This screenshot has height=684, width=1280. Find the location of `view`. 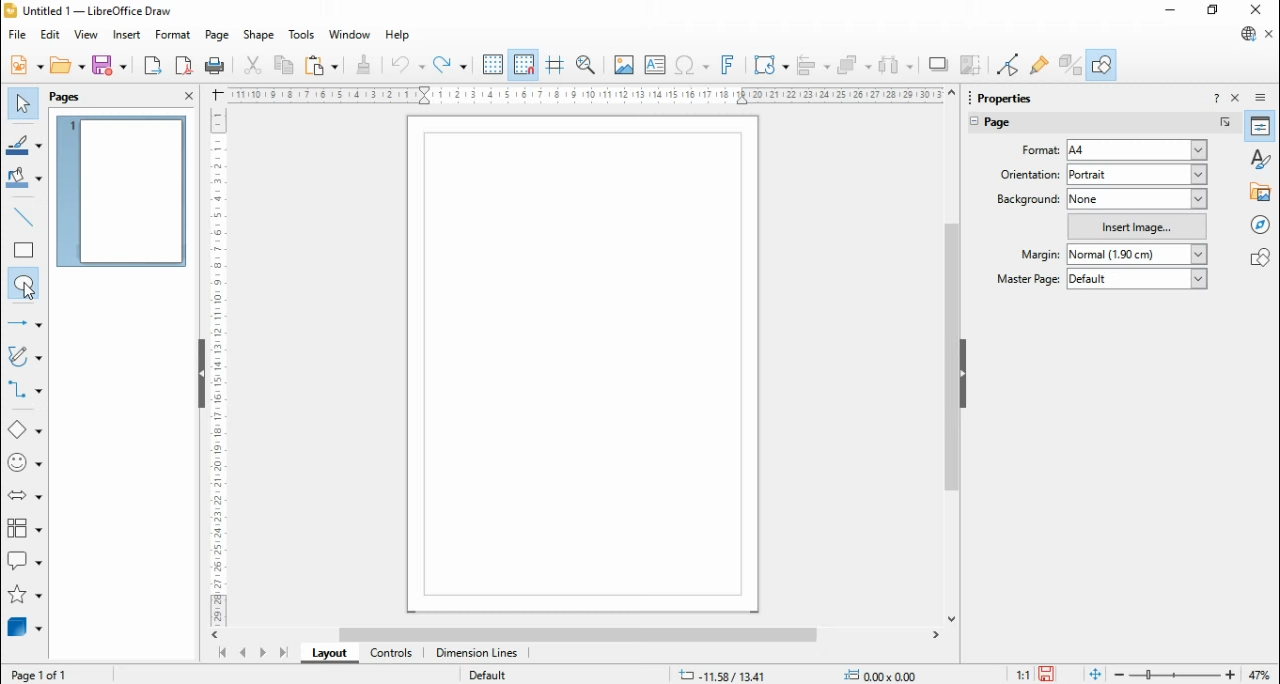

view is located at coordinates (86, 34).